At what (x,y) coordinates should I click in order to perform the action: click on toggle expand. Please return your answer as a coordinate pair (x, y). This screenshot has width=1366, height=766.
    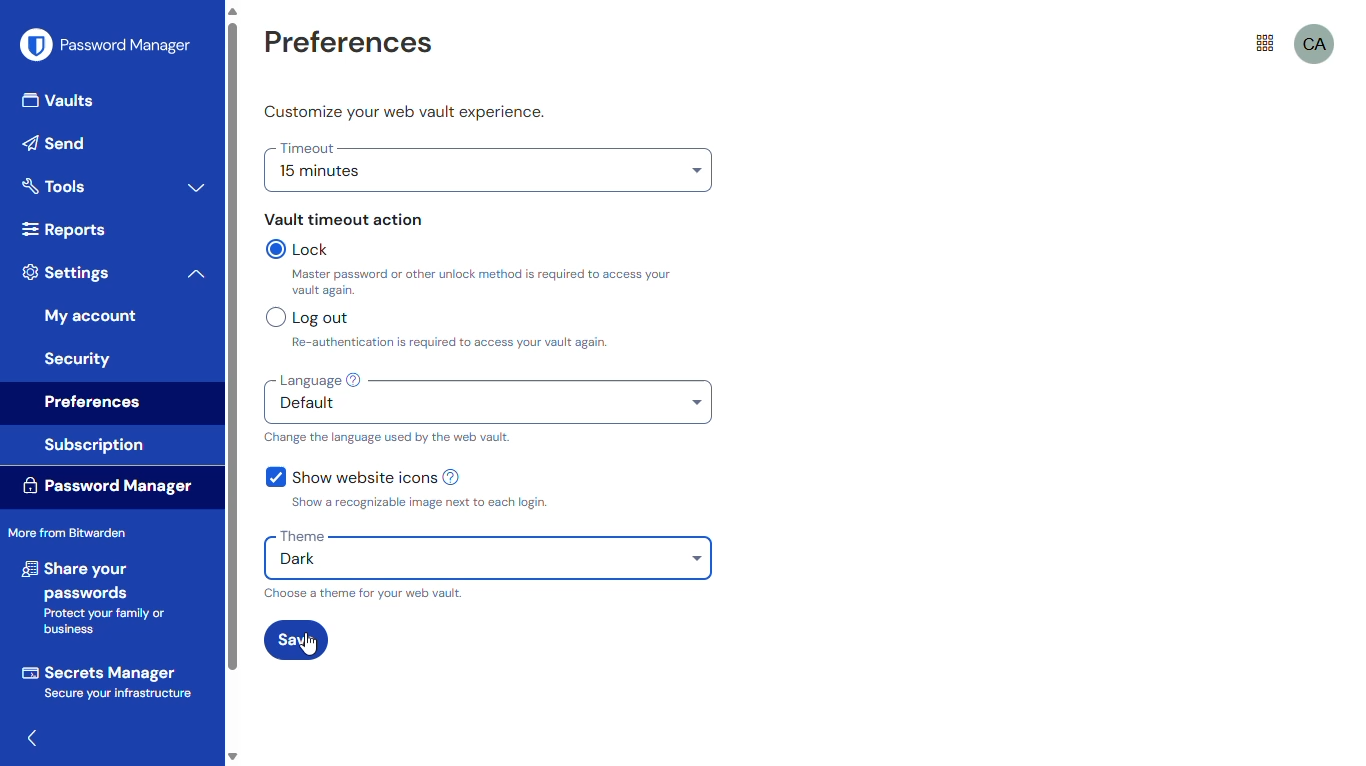
    Looking at the image, I should click on (197, 187).